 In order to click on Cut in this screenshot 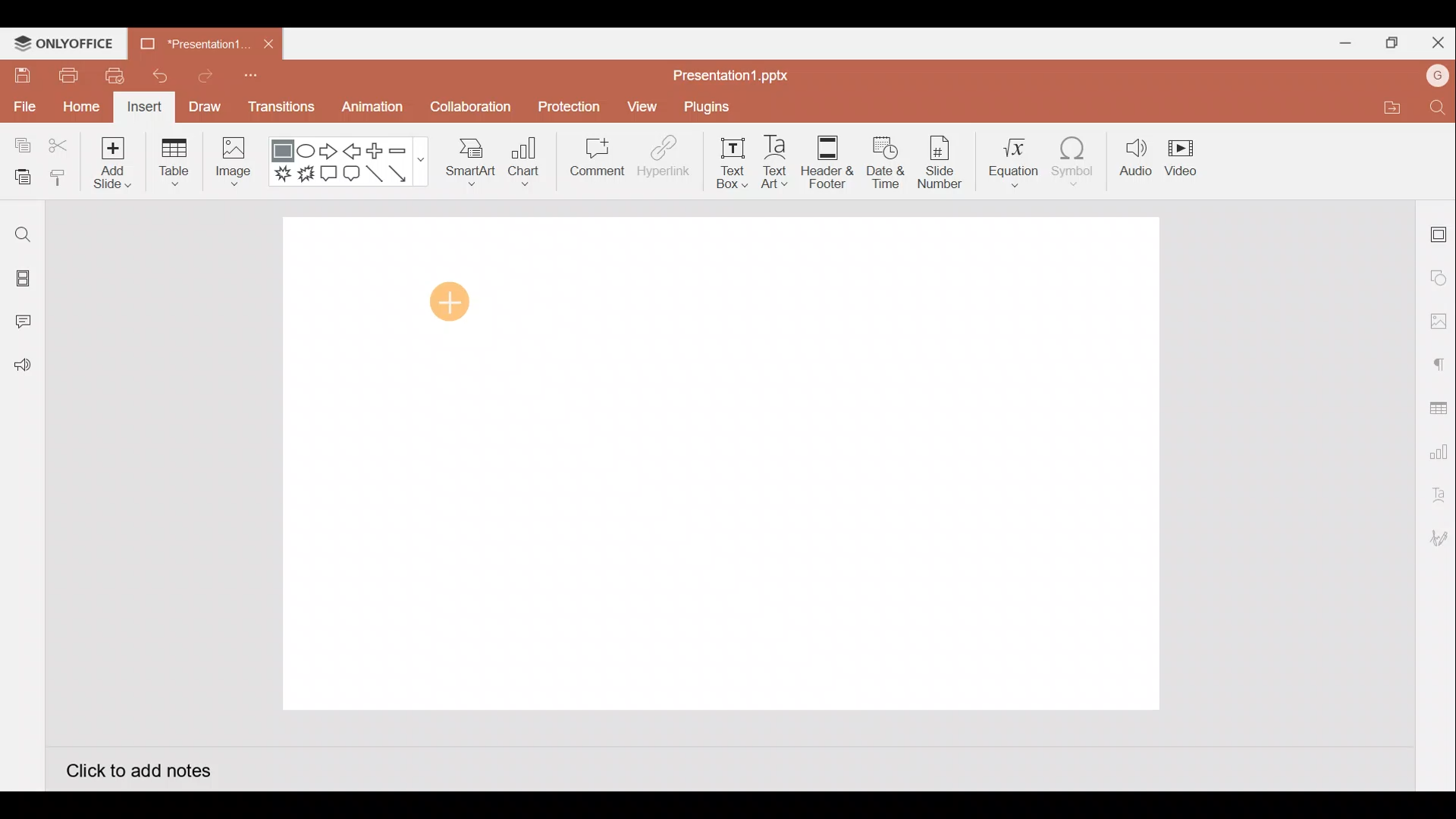, I will do `click(59, 146)`.